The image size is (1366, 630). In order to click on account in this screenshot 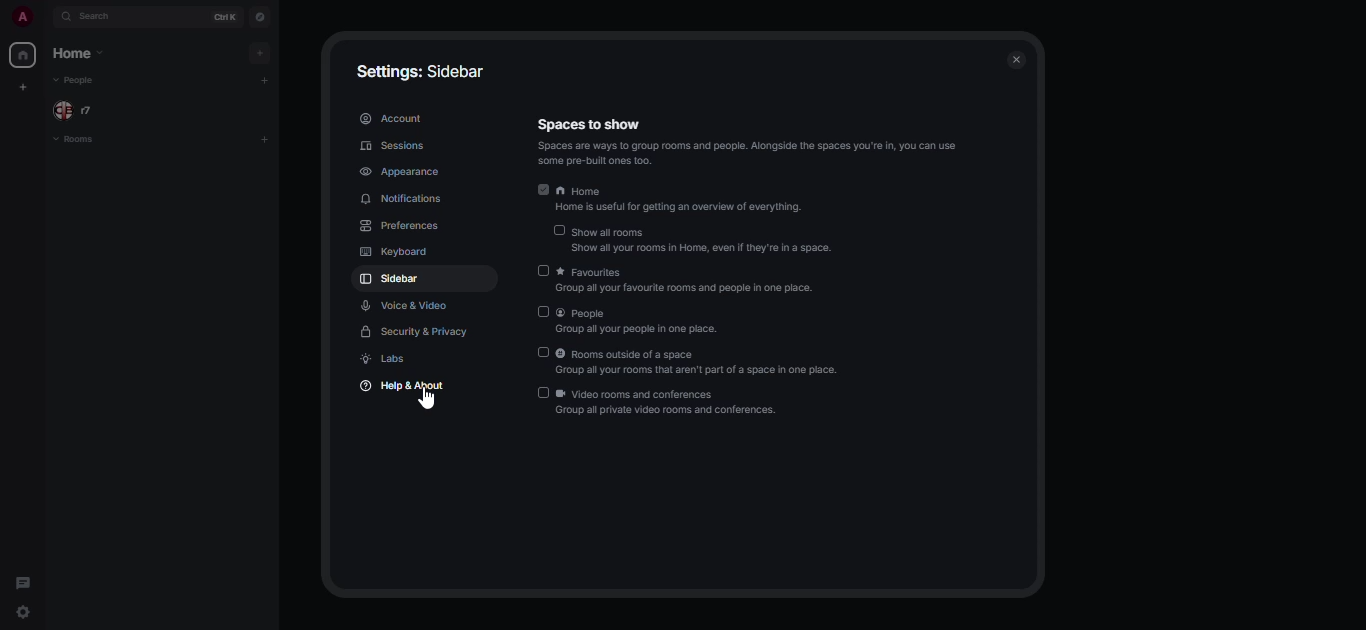, I will do `click(391, 118)`.